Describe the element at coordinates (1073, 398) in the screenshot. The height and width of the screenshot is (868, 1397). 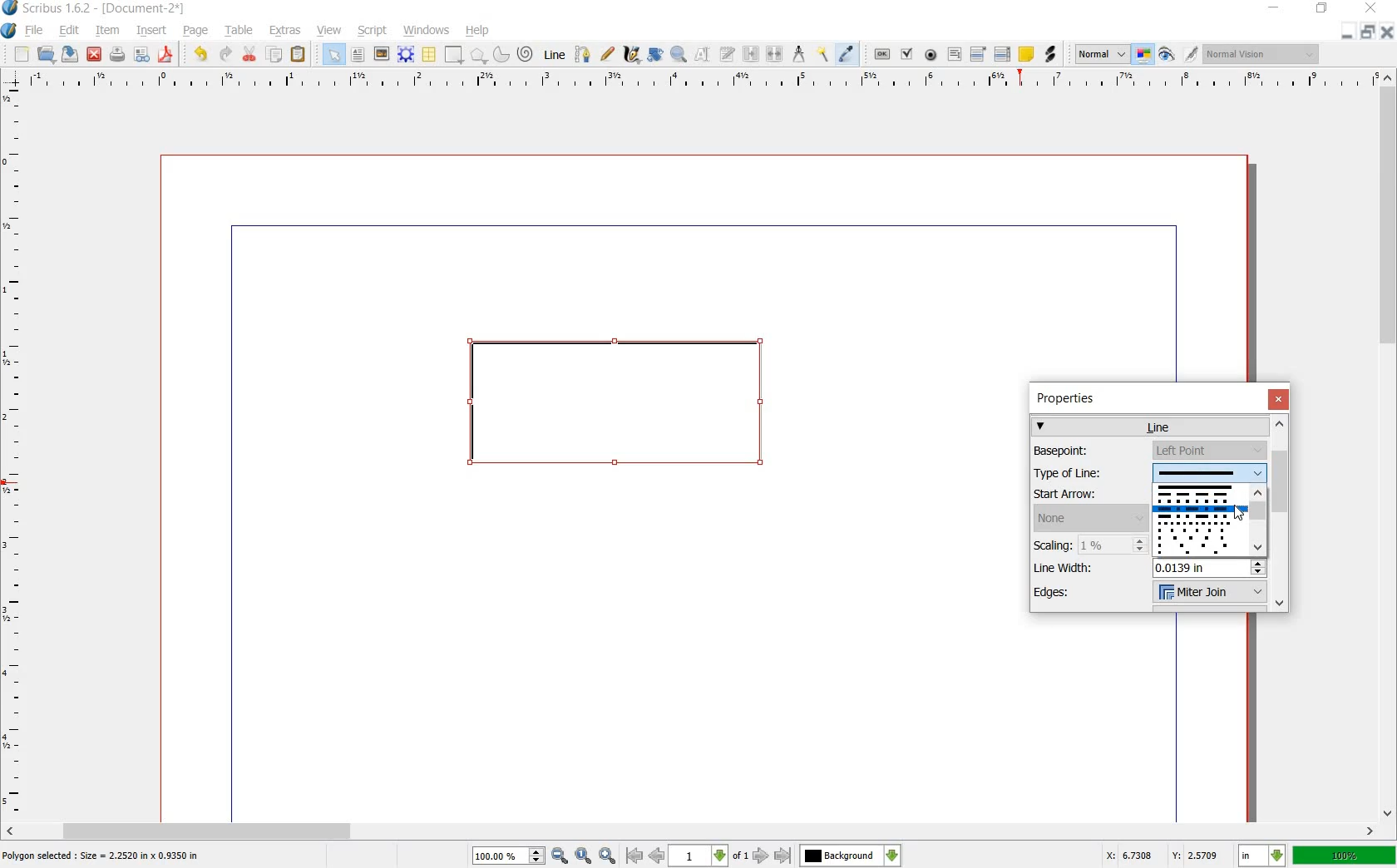
I see `properties` at that location.